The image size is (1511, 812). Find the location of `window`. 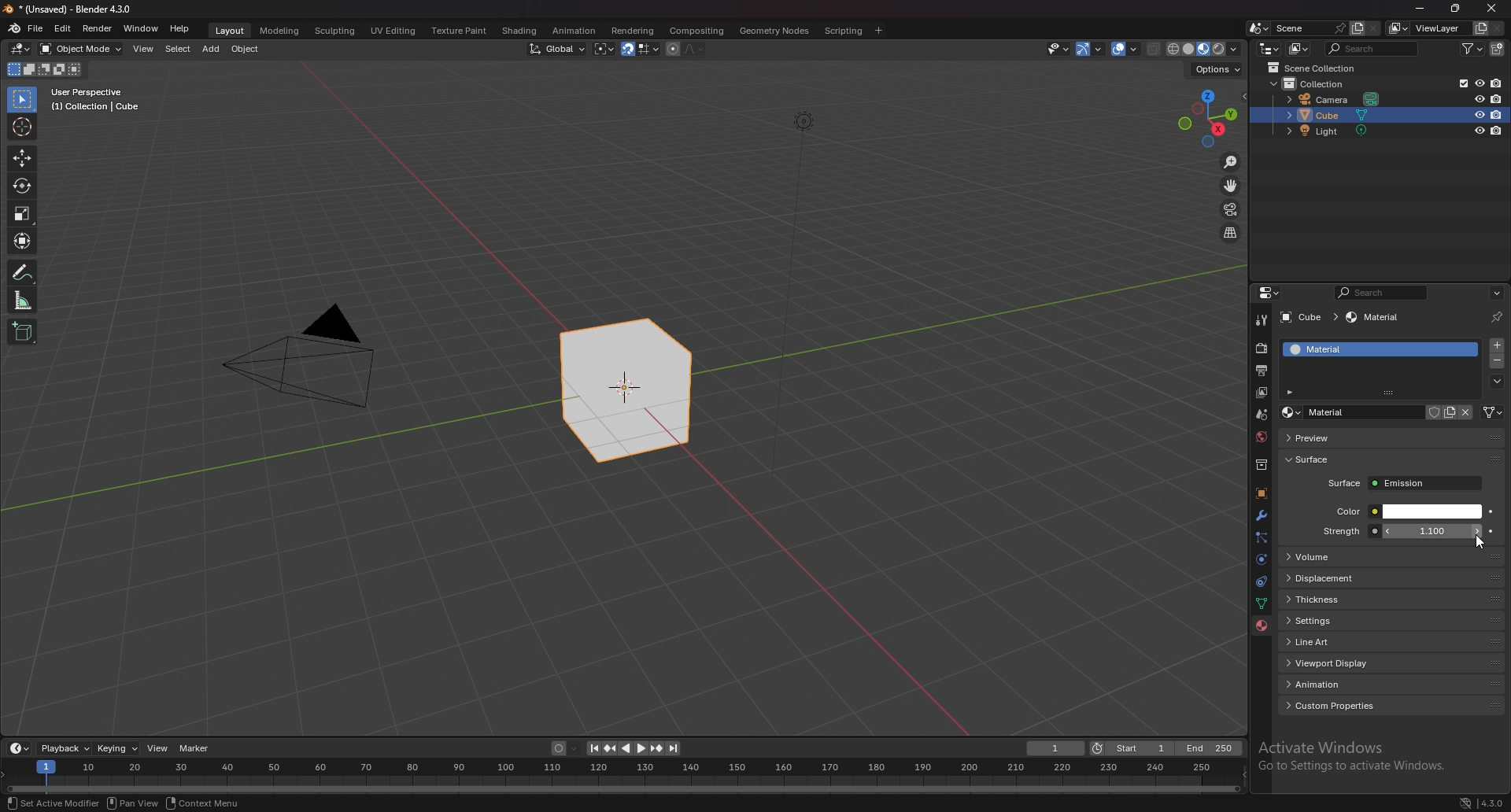

window is located at coordinates (141, 28).